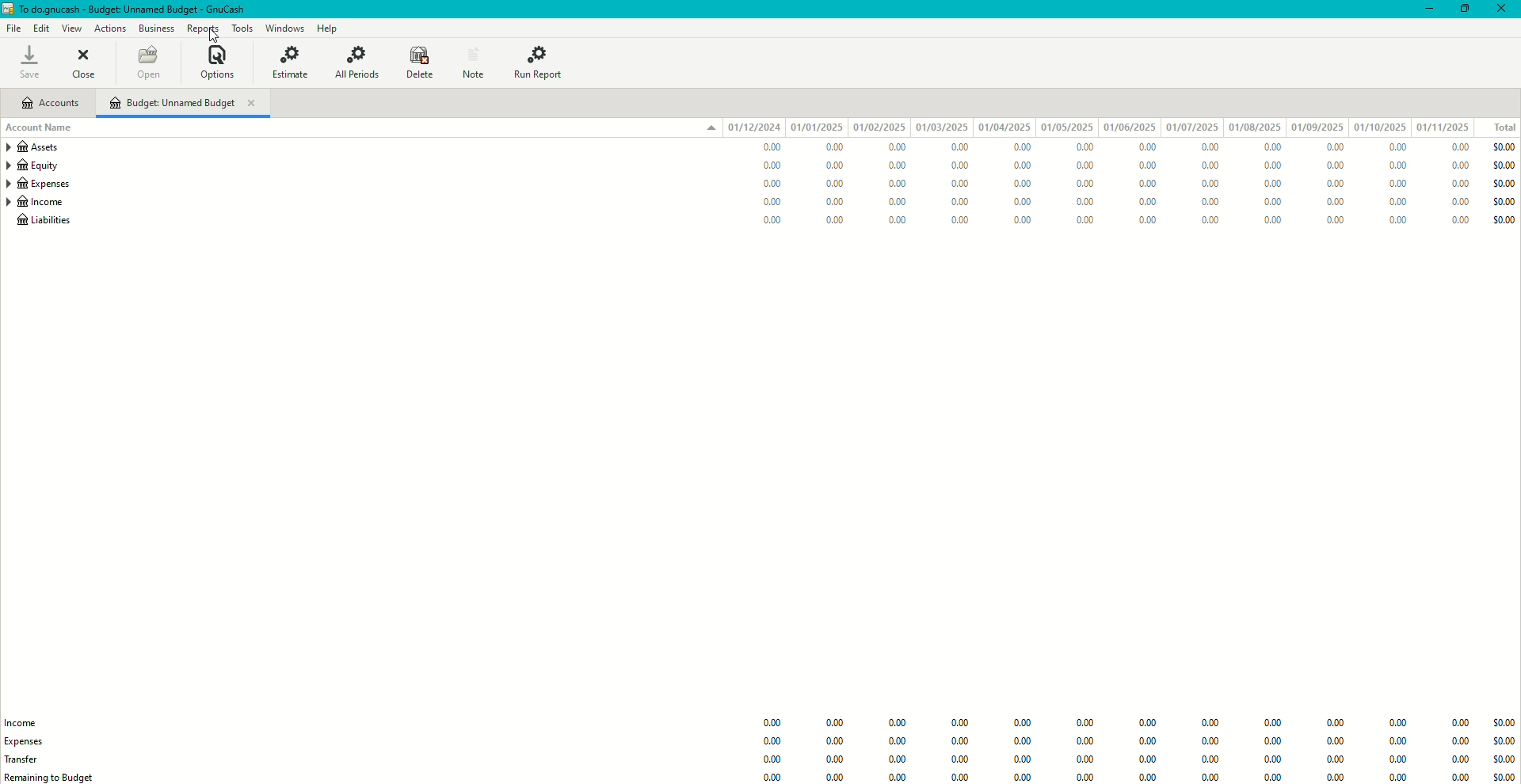 Image resolution: width=1521 pixels, height=784 pixels. What do you see at coordinates (32, 740) in the screenshot?
I see `Expenses` at bounding box center [32, 740].